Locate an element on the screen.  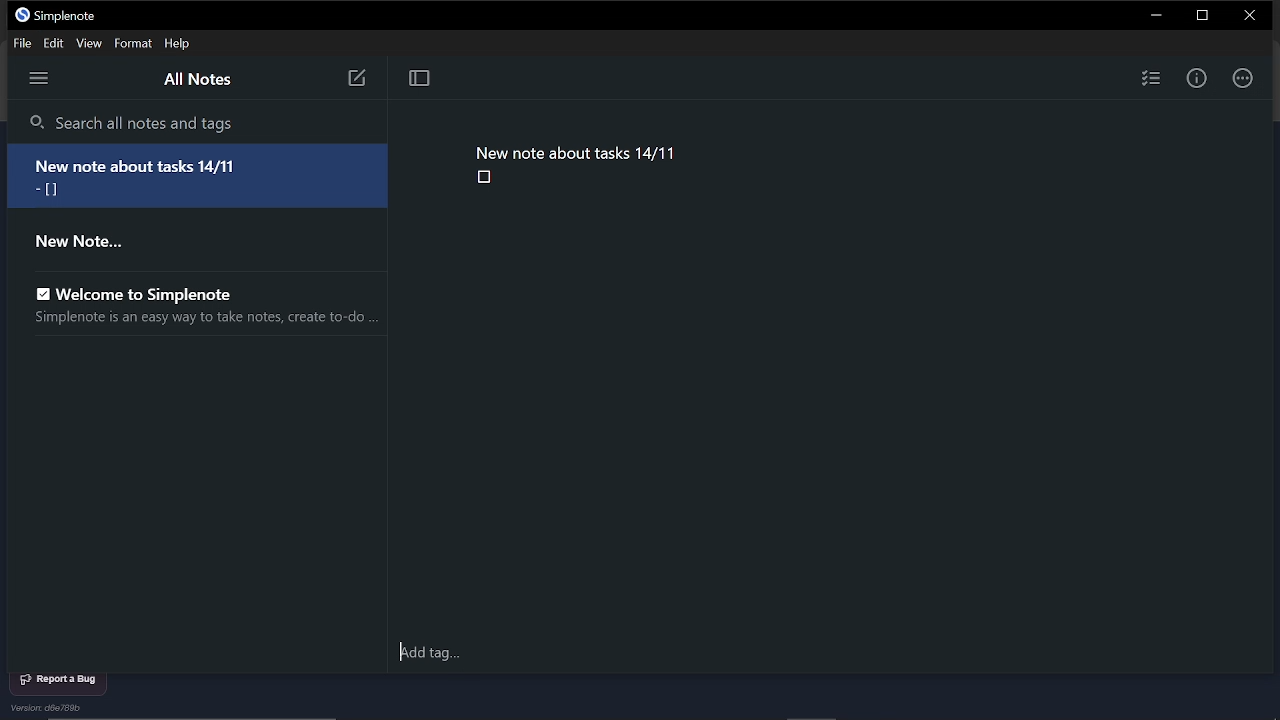
Restoe down is located at coordinates (1200, 16).